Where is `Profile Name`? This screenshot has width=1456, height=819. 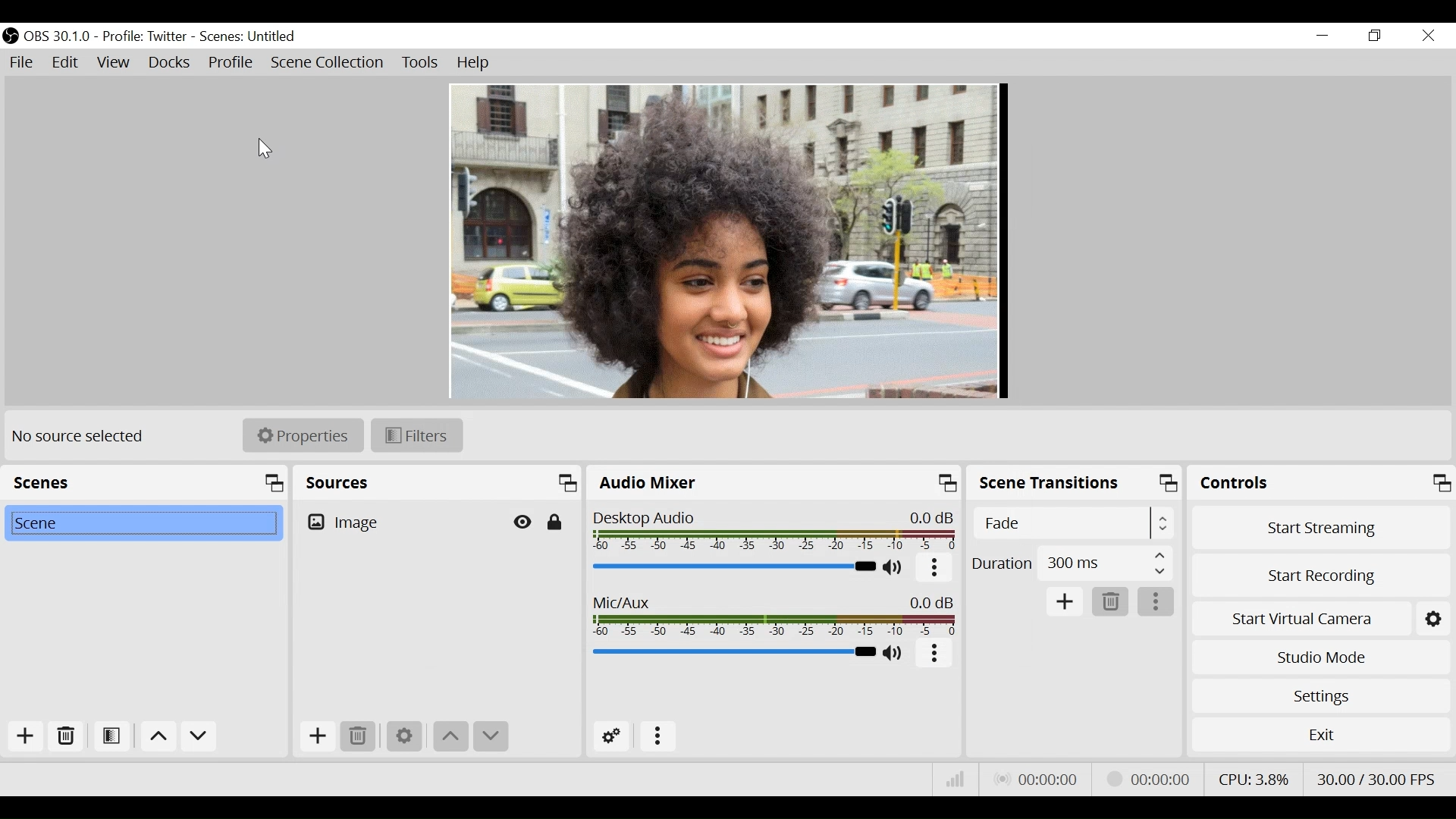 Profile Name is located at coordinates (153, 37).